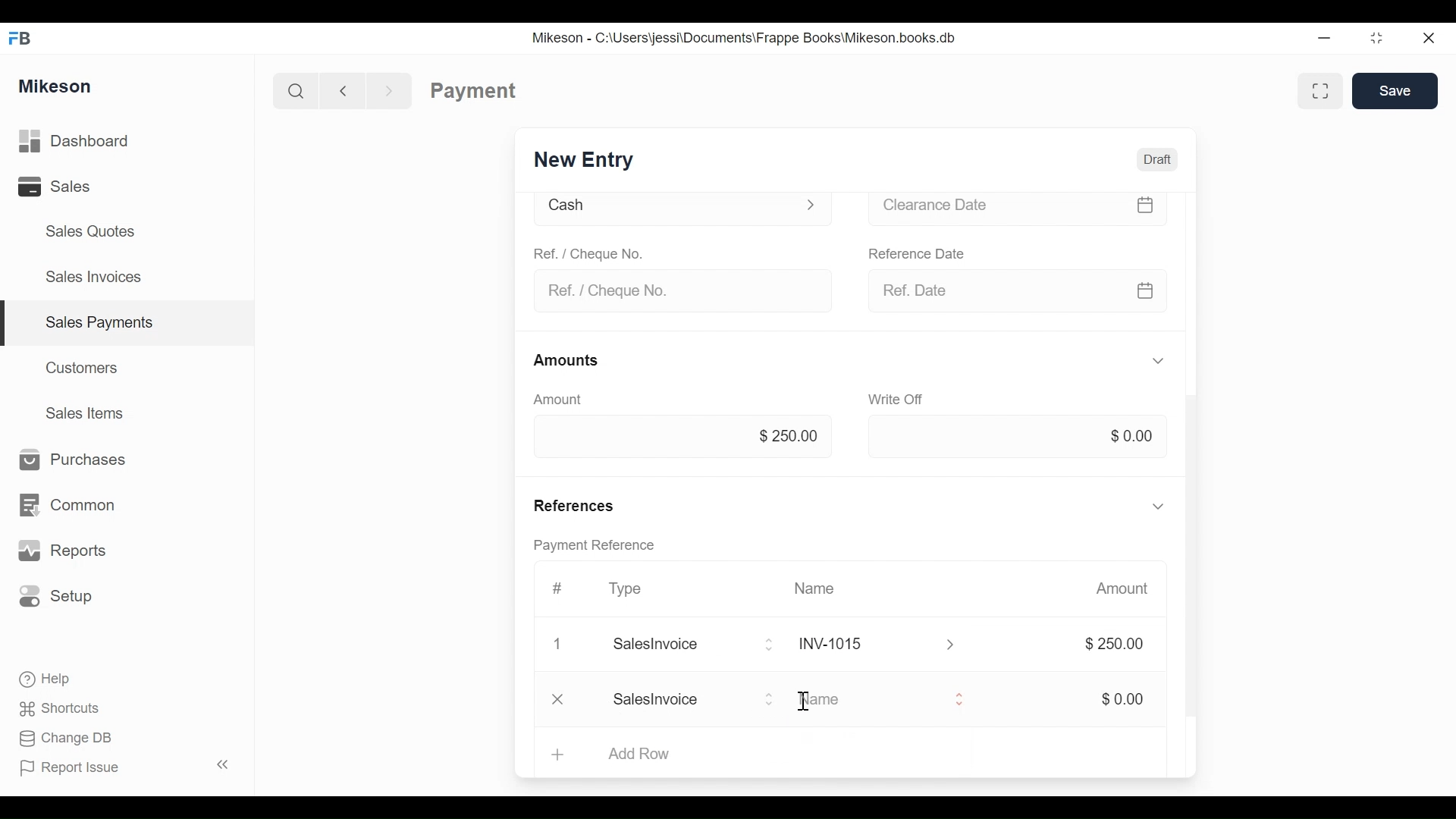  What do you see at coordinates (881, 645) in the screenshot?
I see `INY1015` at bounding box center [881, 645].